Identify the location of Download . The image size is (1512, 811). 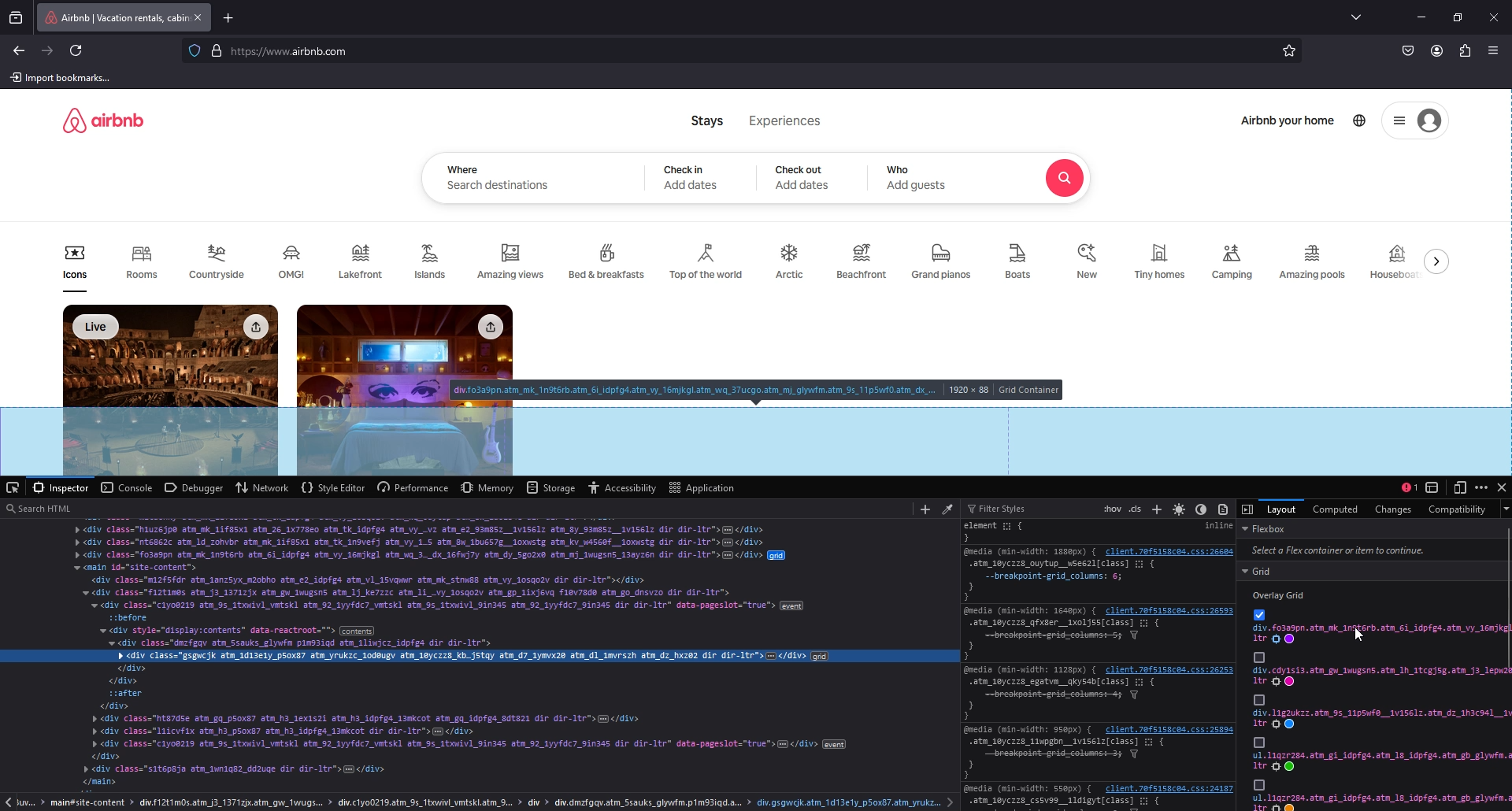
(489, 328).